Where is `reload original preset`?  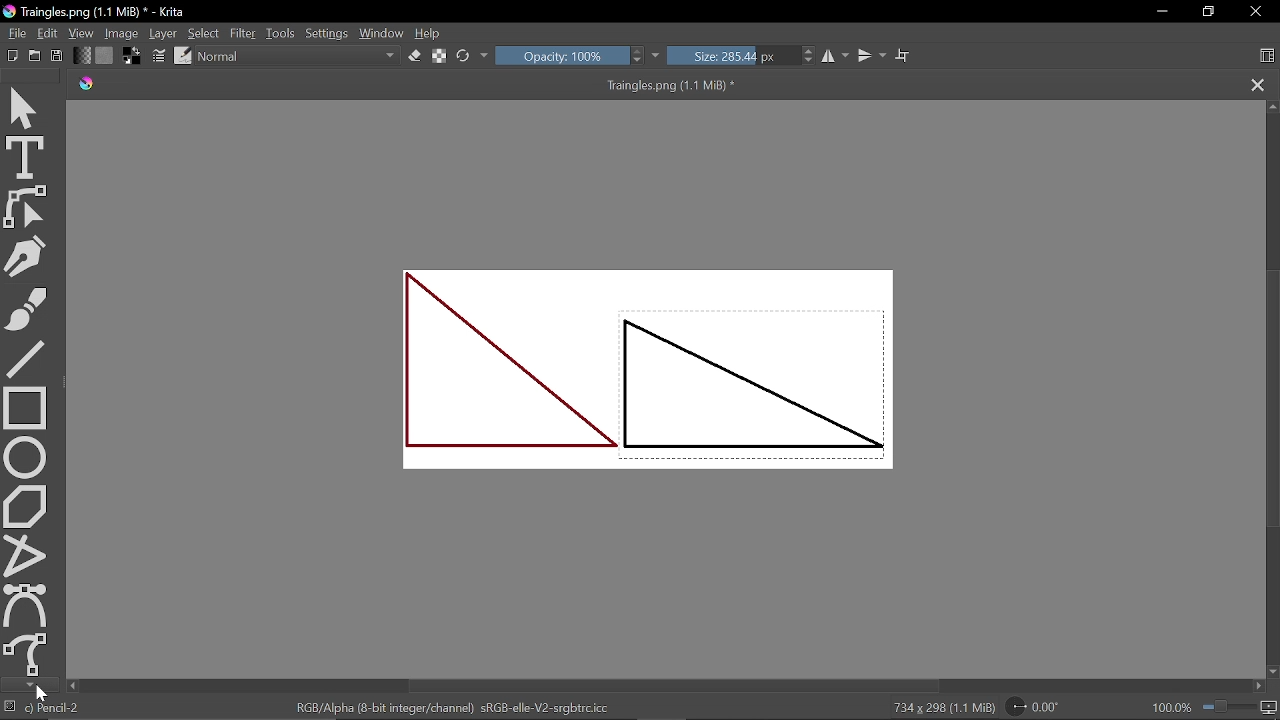 reload original preset is located at coordinates (464, 57).